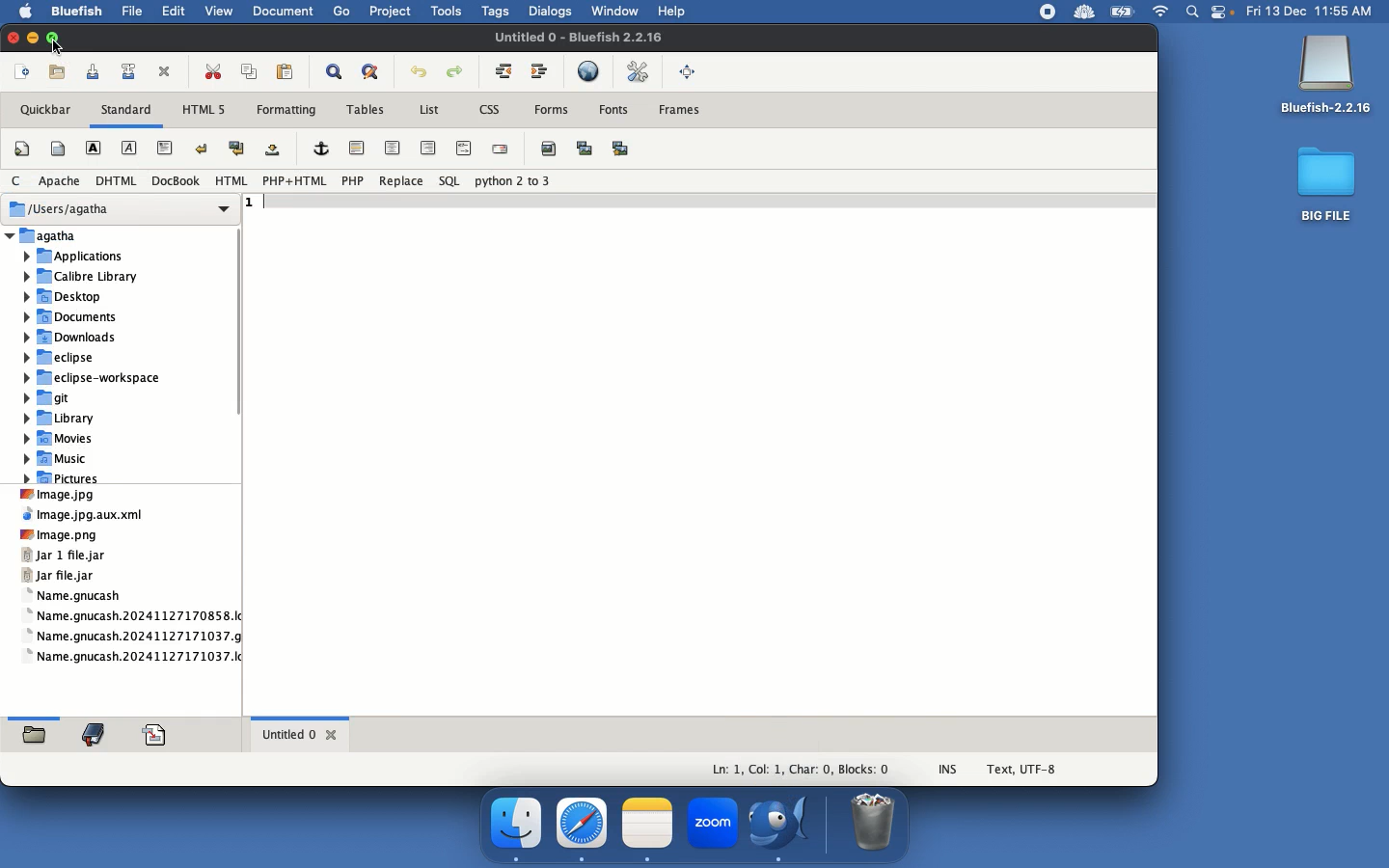 This screenshot has height=868, width=1389. I want to click on Open, so click(59, 72).